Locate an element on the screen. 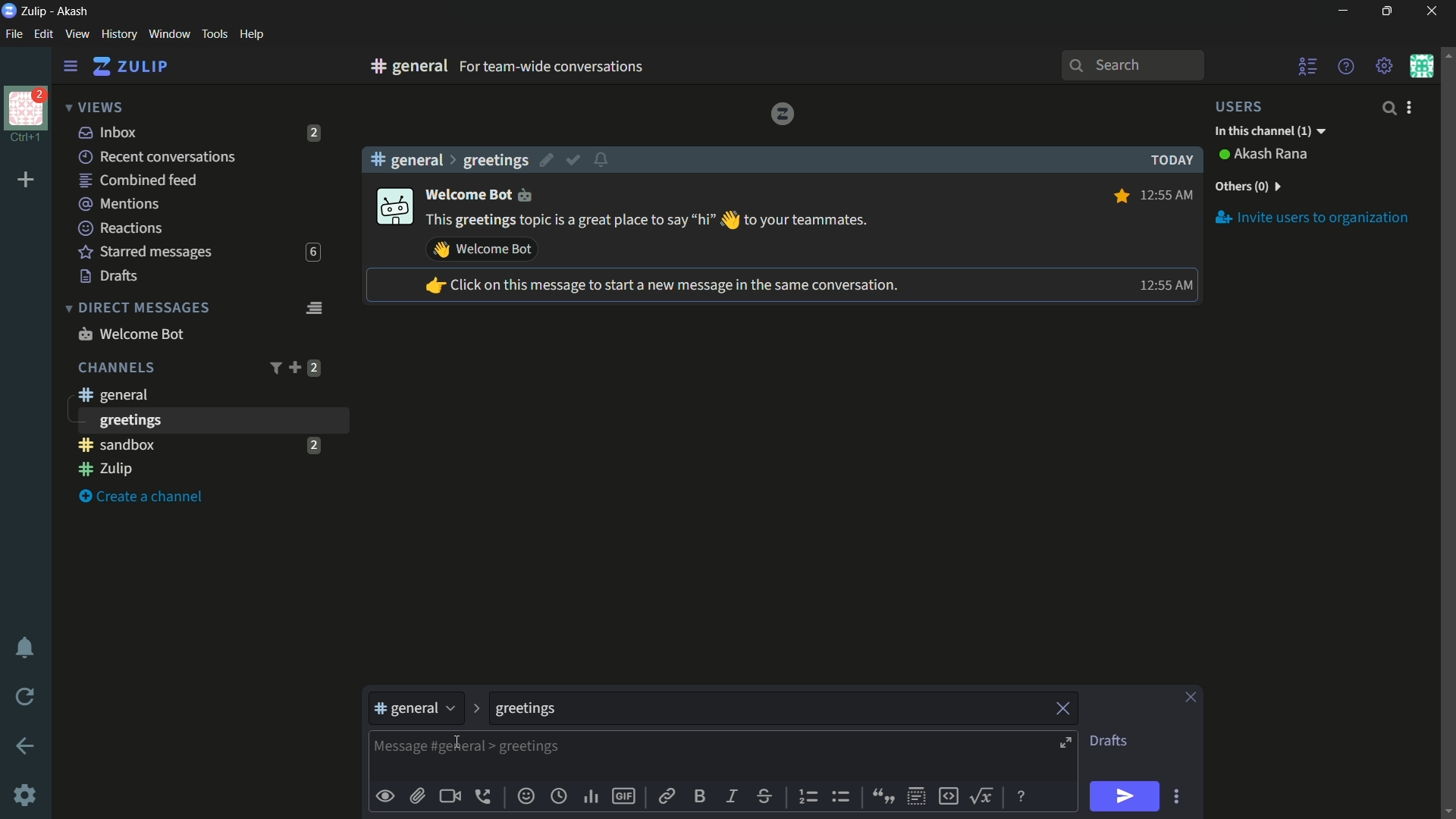  greeting channel is located at coordinates (212, 420).